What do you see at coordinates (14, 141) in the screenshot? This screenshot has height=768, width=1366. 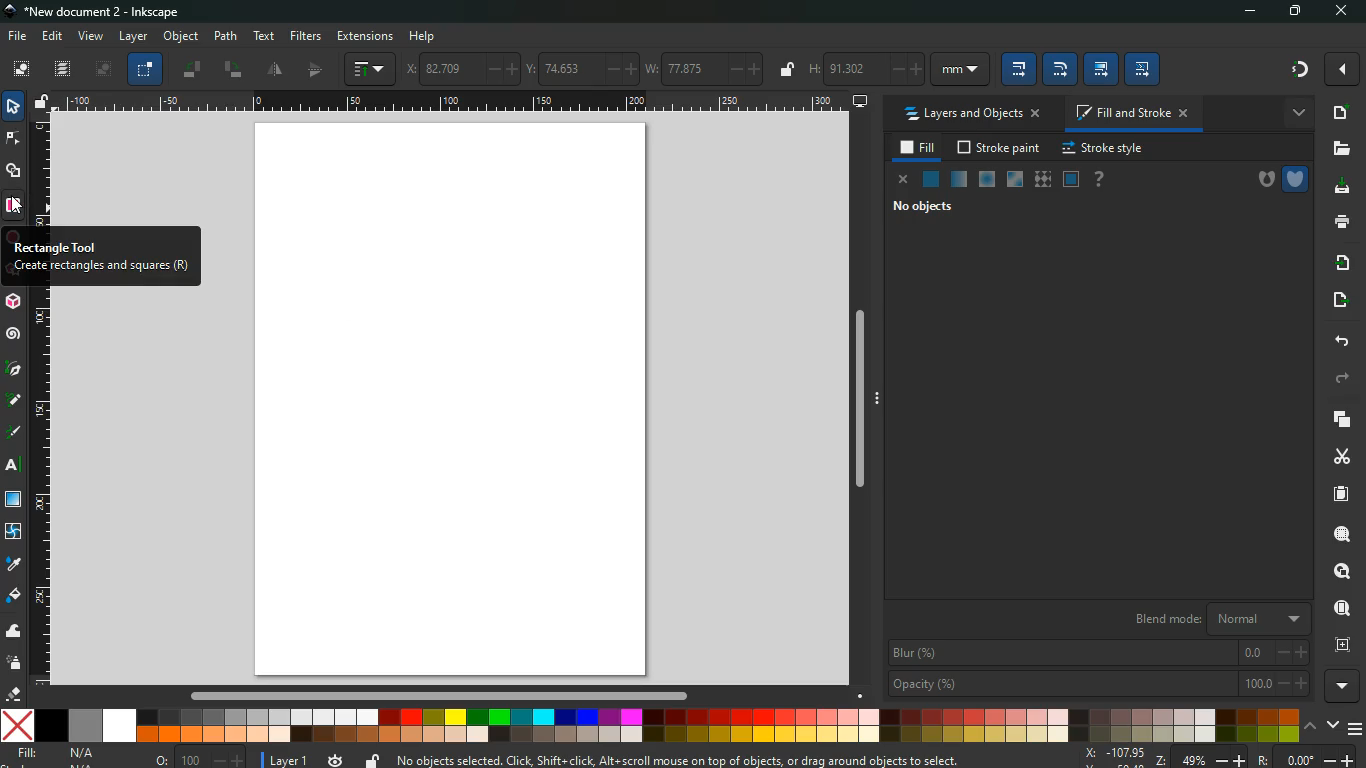 I see `edge` at bounding box center [14, 141].